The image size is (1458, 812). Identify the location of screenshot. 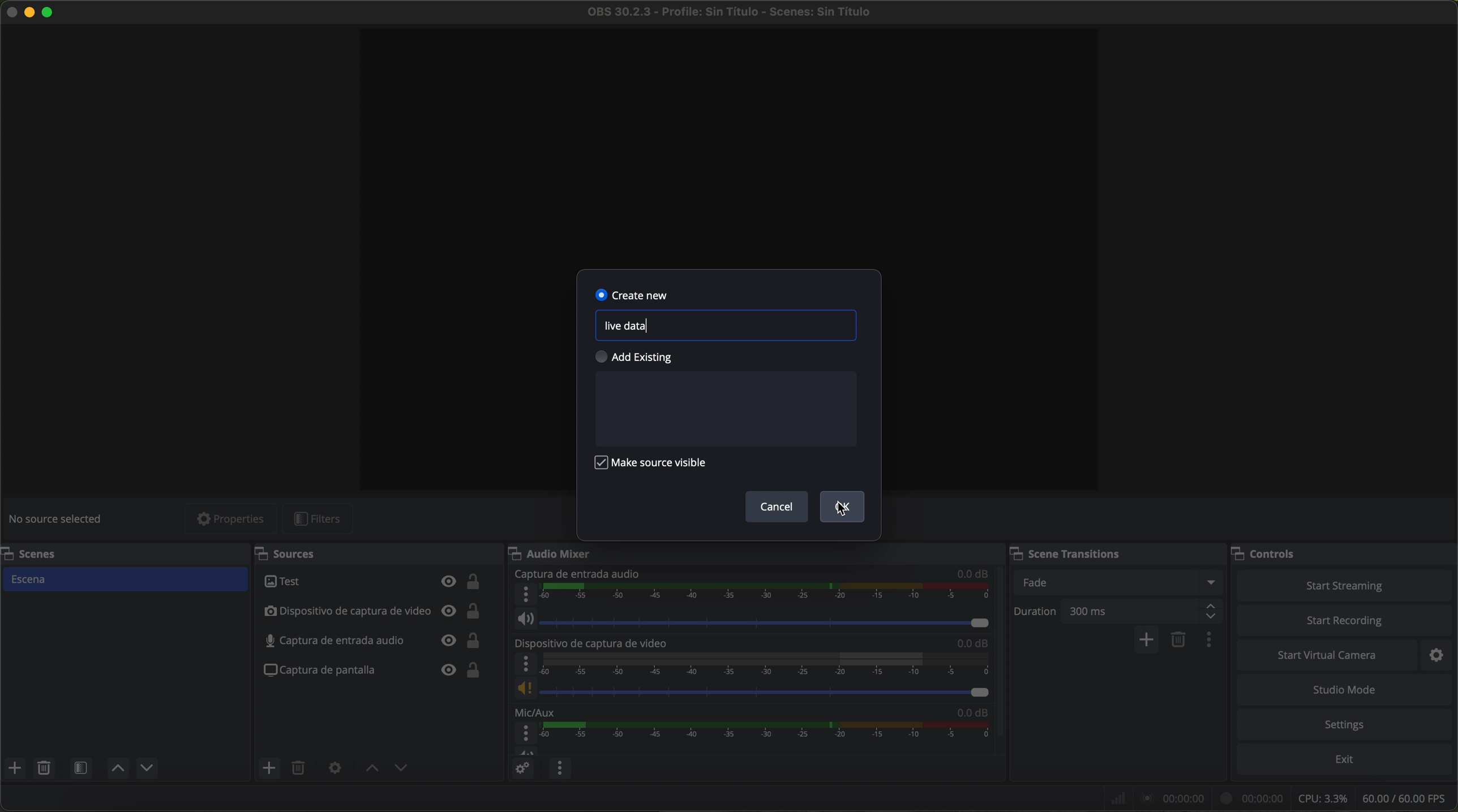
(374, 670).